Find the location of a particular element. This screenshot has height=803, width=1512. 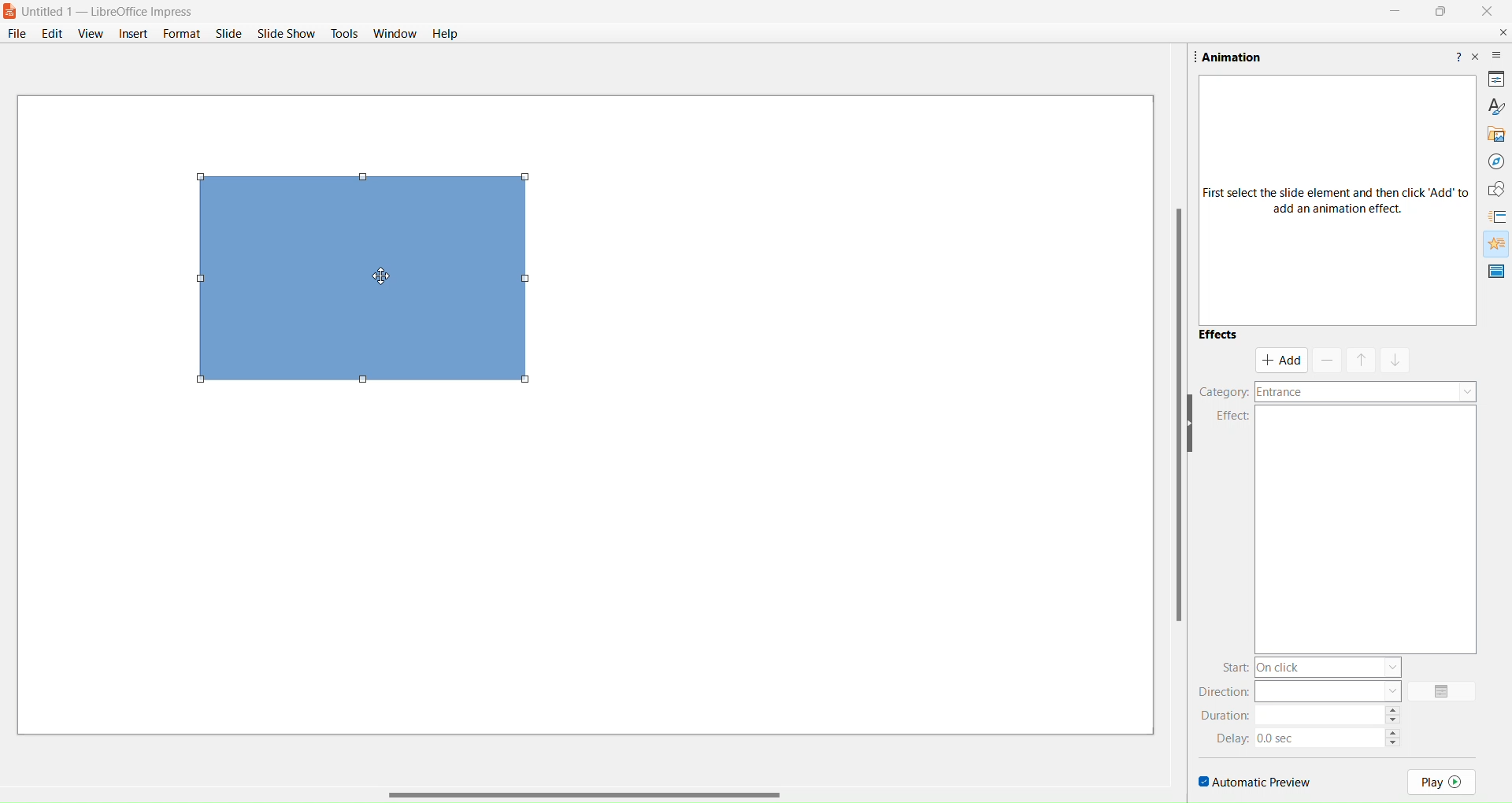

file is located at coordinates (18, 33).